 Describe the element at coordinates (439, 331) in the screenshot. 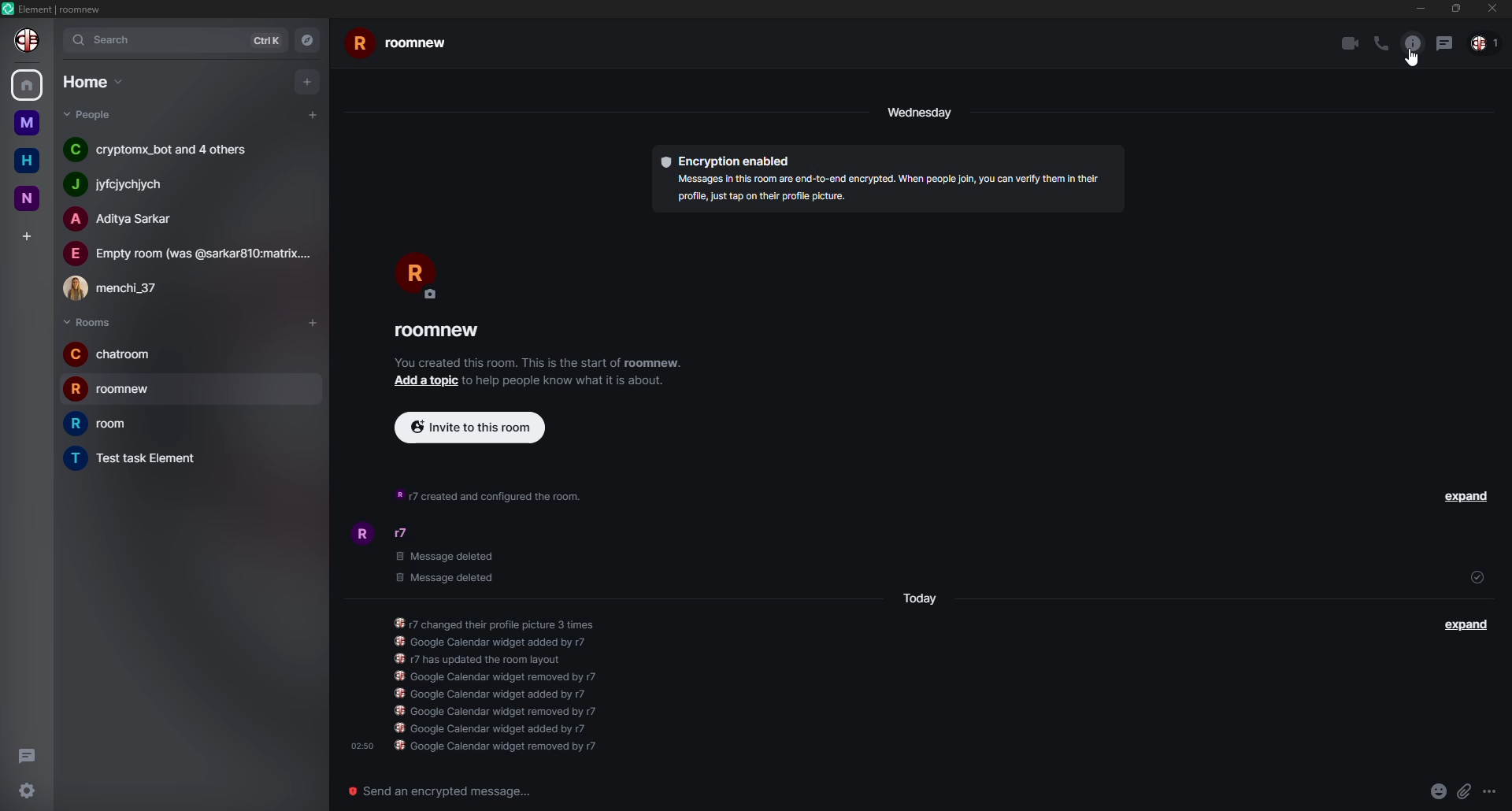

I see `room` at that location.